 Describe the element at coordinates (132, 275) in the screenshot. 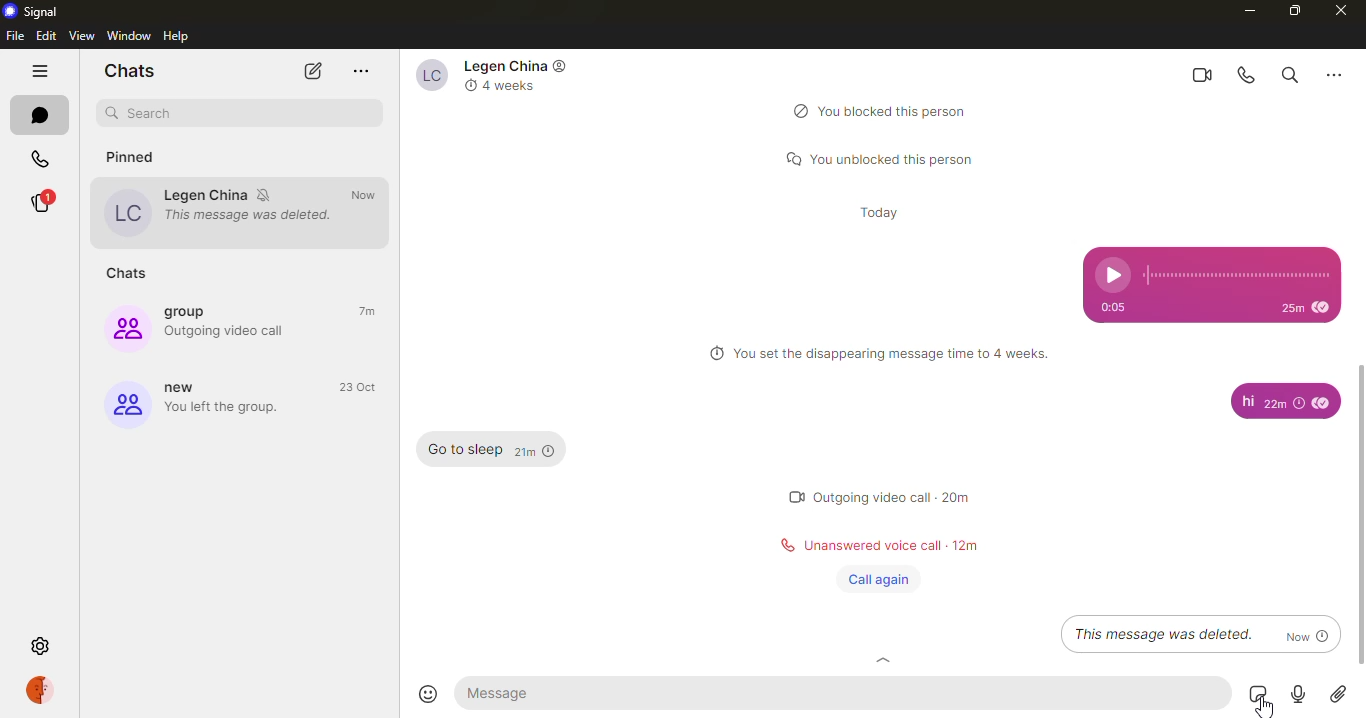

I see `chats` at that location.